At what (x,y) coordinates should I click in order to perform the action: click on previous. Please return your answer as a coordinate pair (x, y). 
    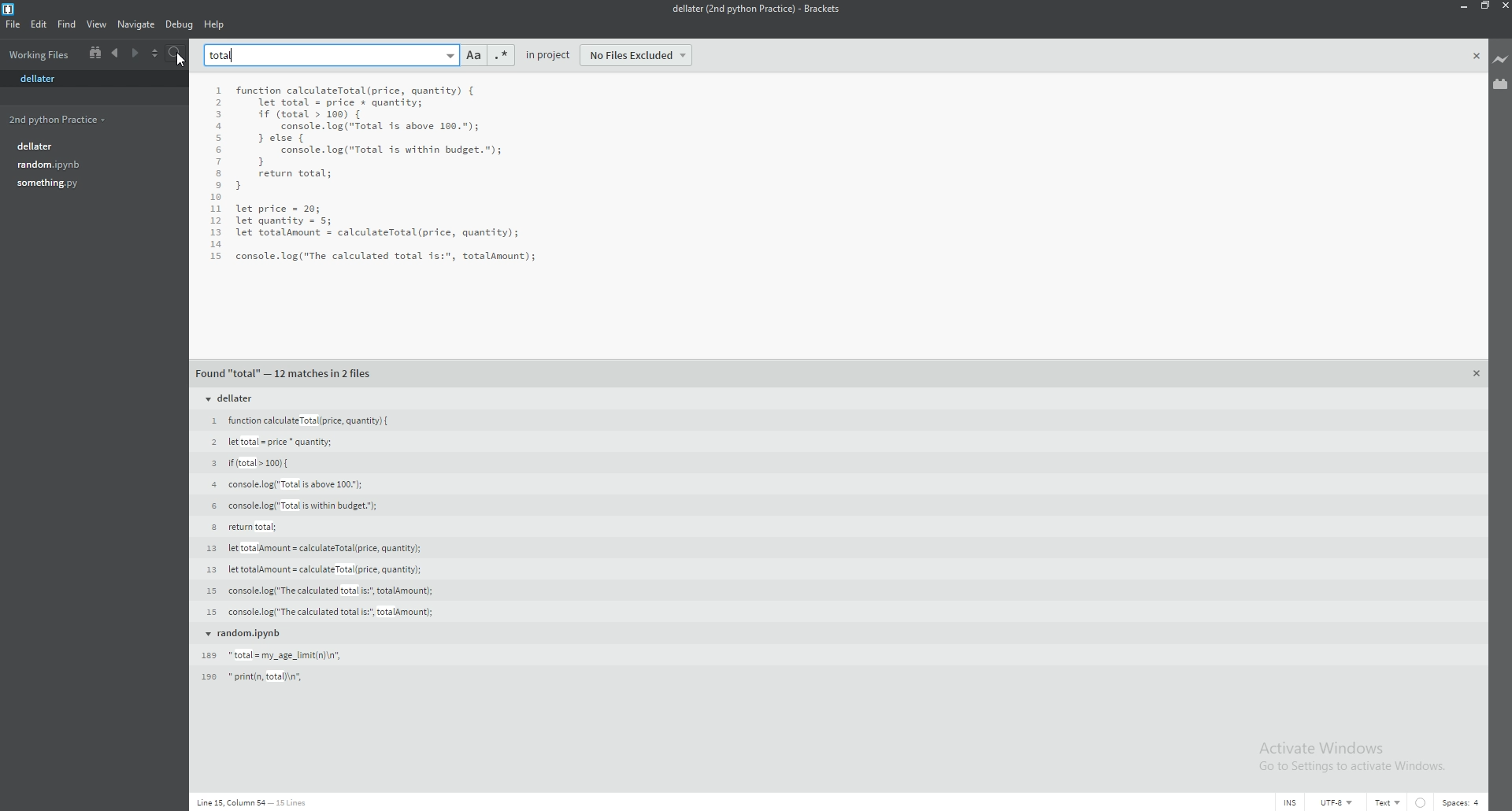
    Looking at the image, I should click on (114, 54).